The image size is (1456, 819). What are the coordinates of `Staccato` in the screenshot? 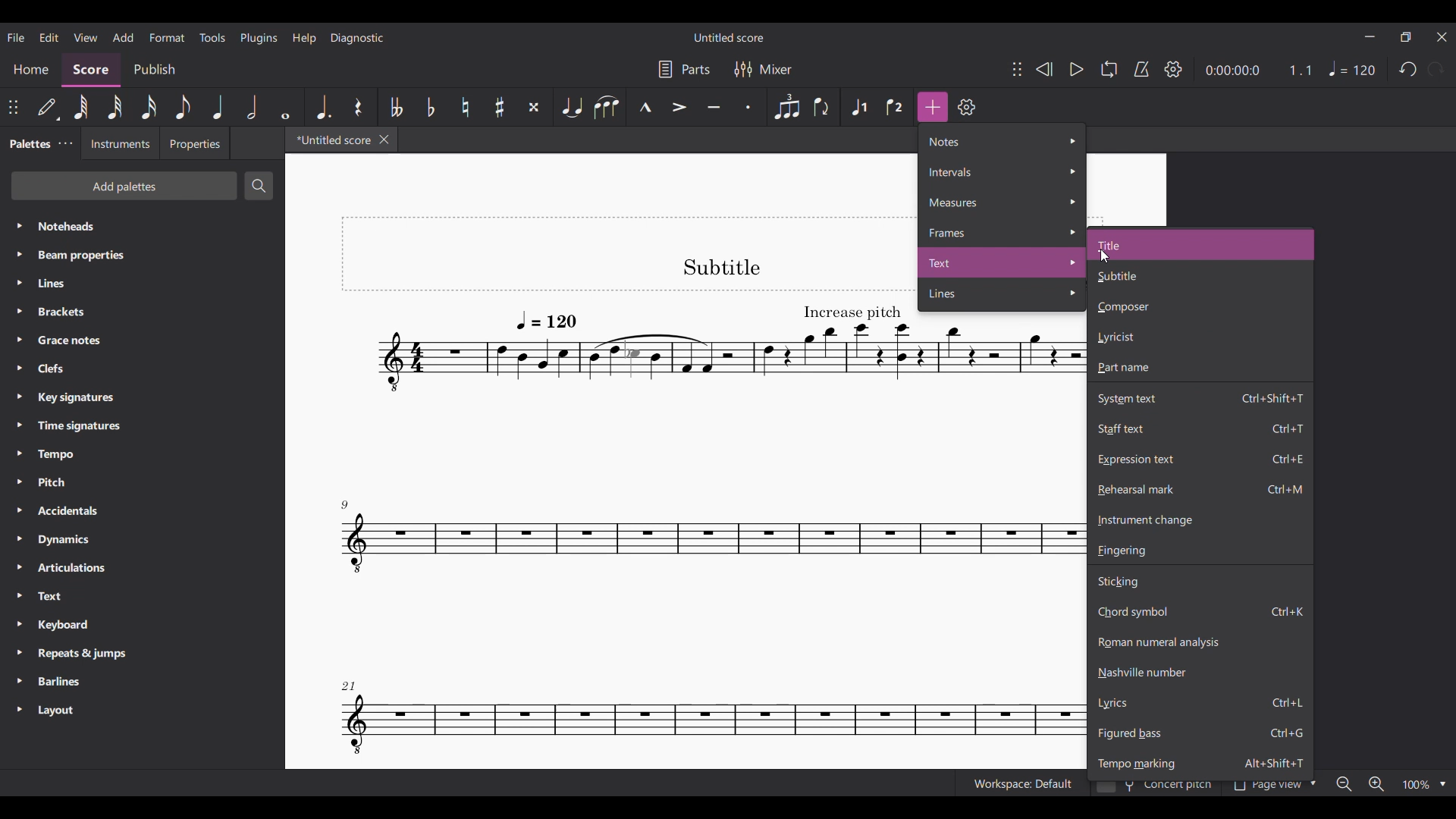 It's located at (751, 107).